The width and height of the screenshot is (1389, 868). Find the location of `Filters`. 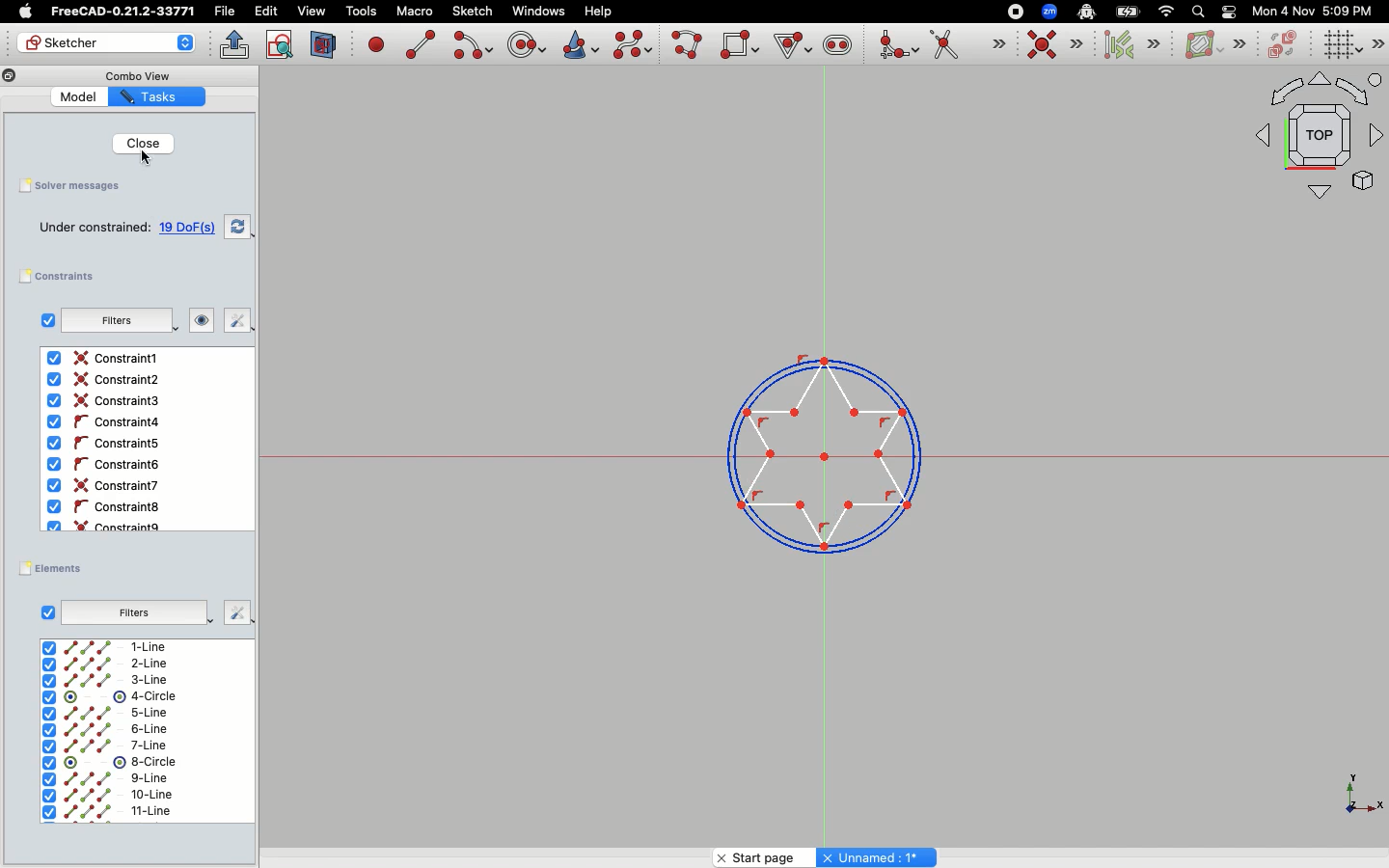

Filters is located at coordinates (133, 610).